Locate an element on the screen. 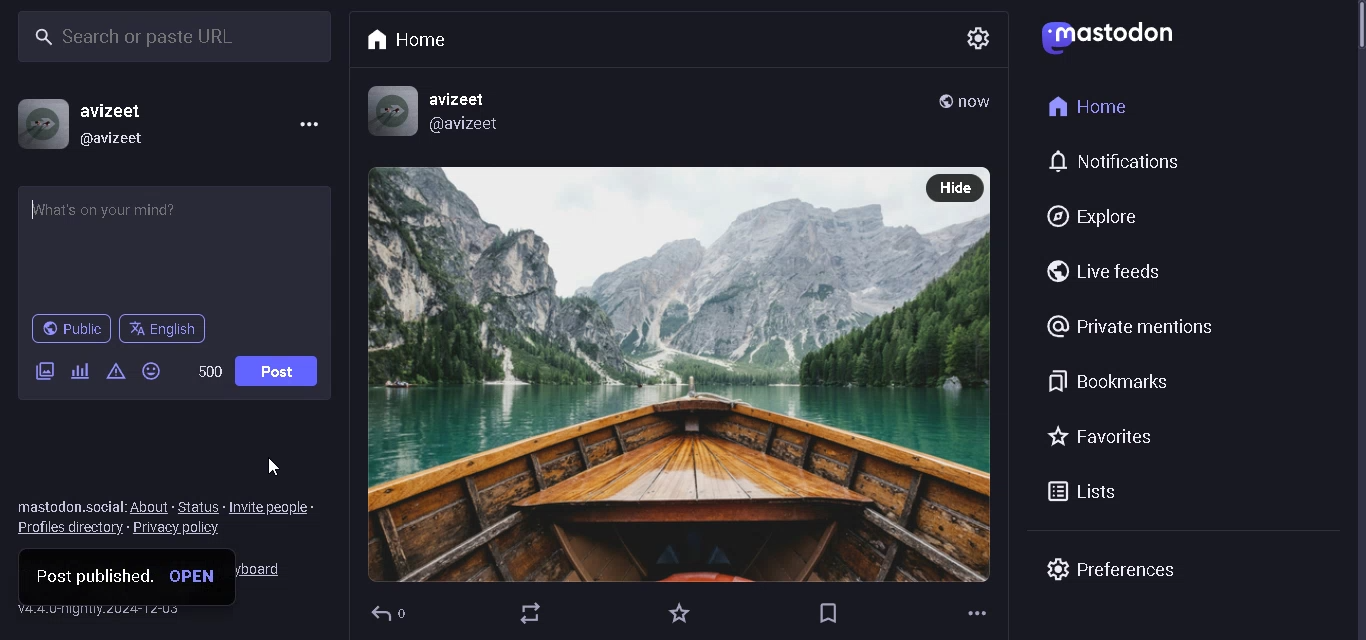 This screenshot has height=640, width=1366. preferences is located at coordinates (1111, 568).